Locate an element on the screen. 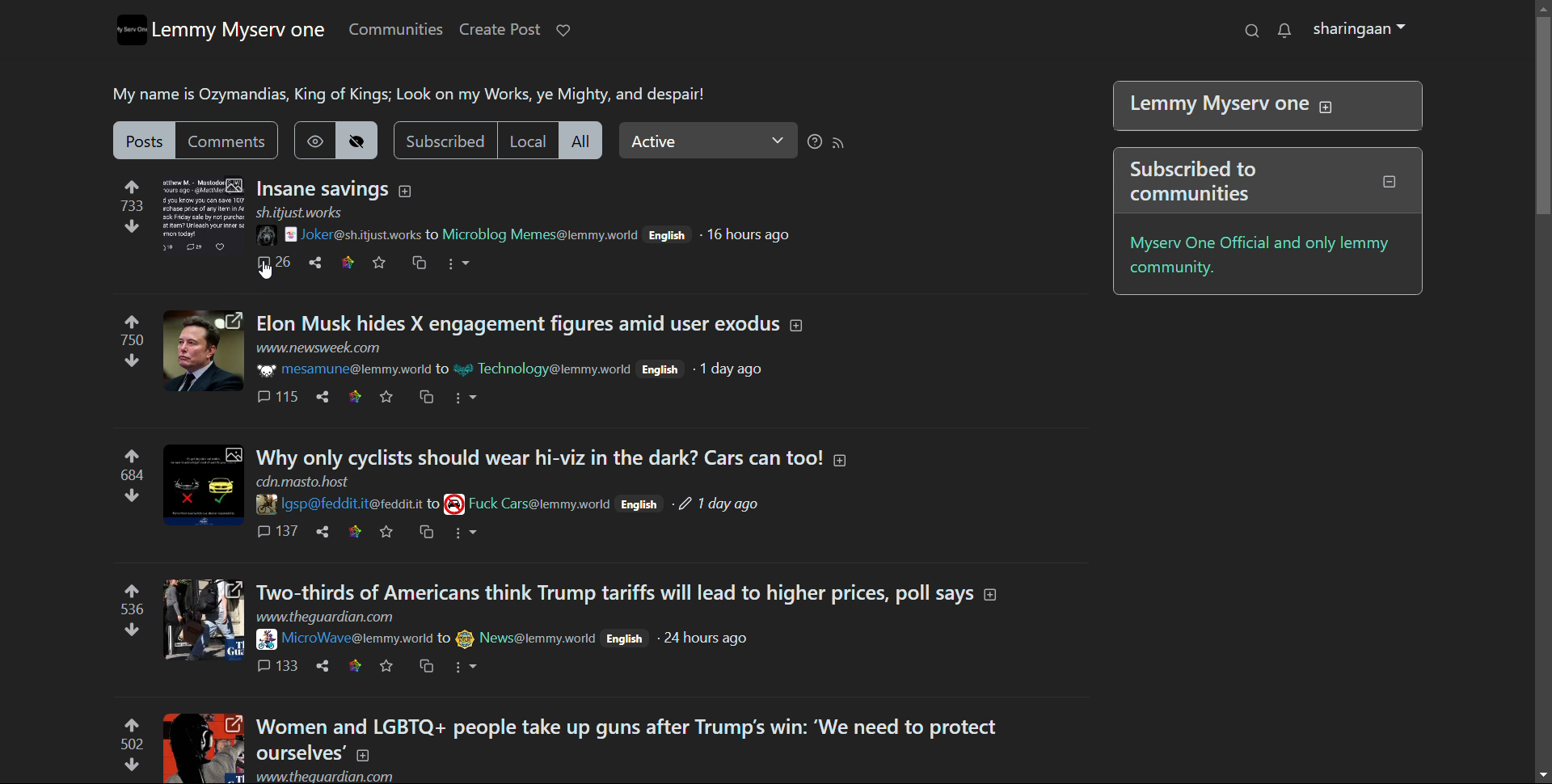 This screenshot has height=784, width=1552. comments is located at coordinates (277, 397).